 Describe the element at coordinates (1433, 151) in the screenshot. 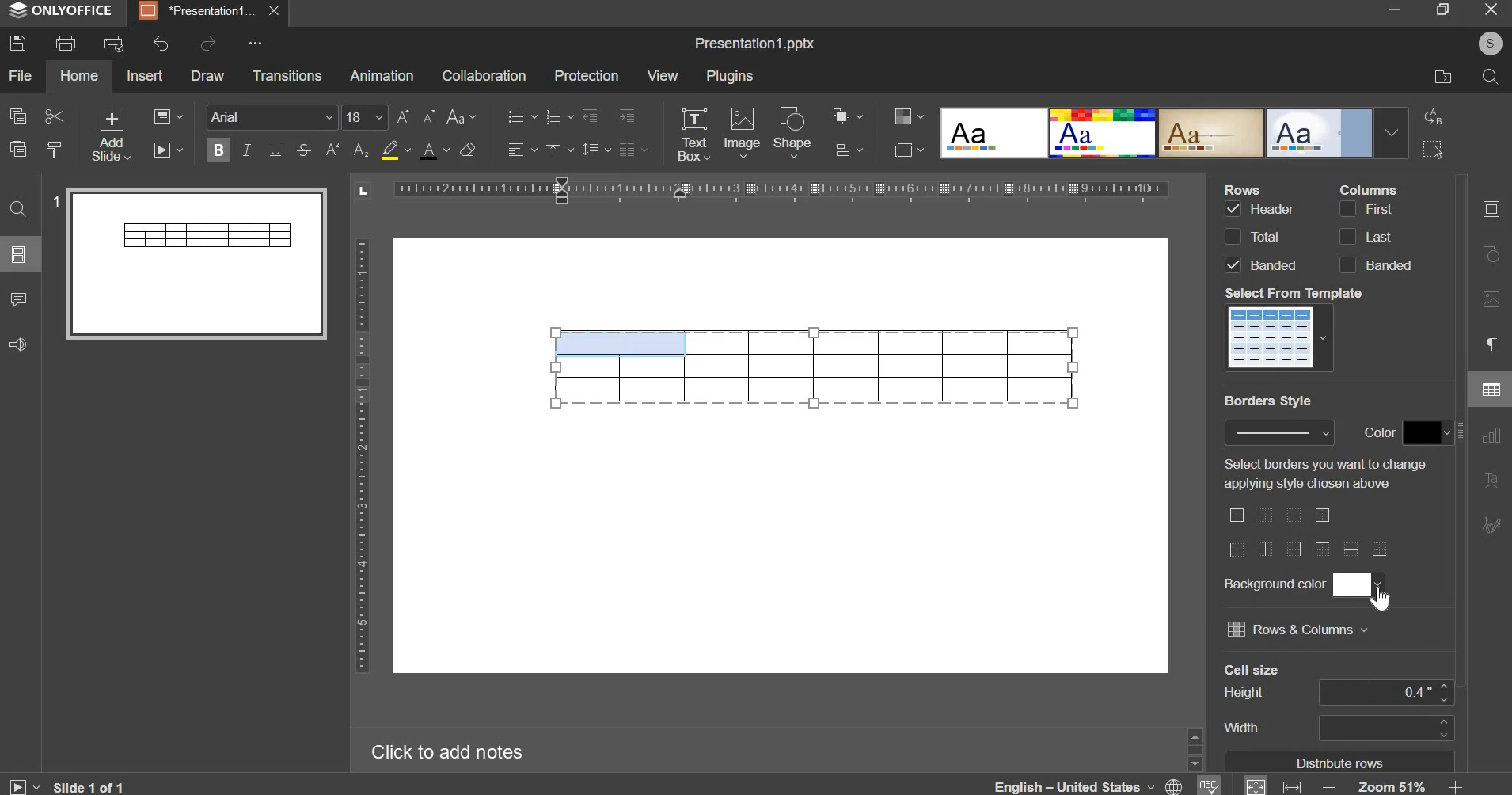

I see `select` at that location.